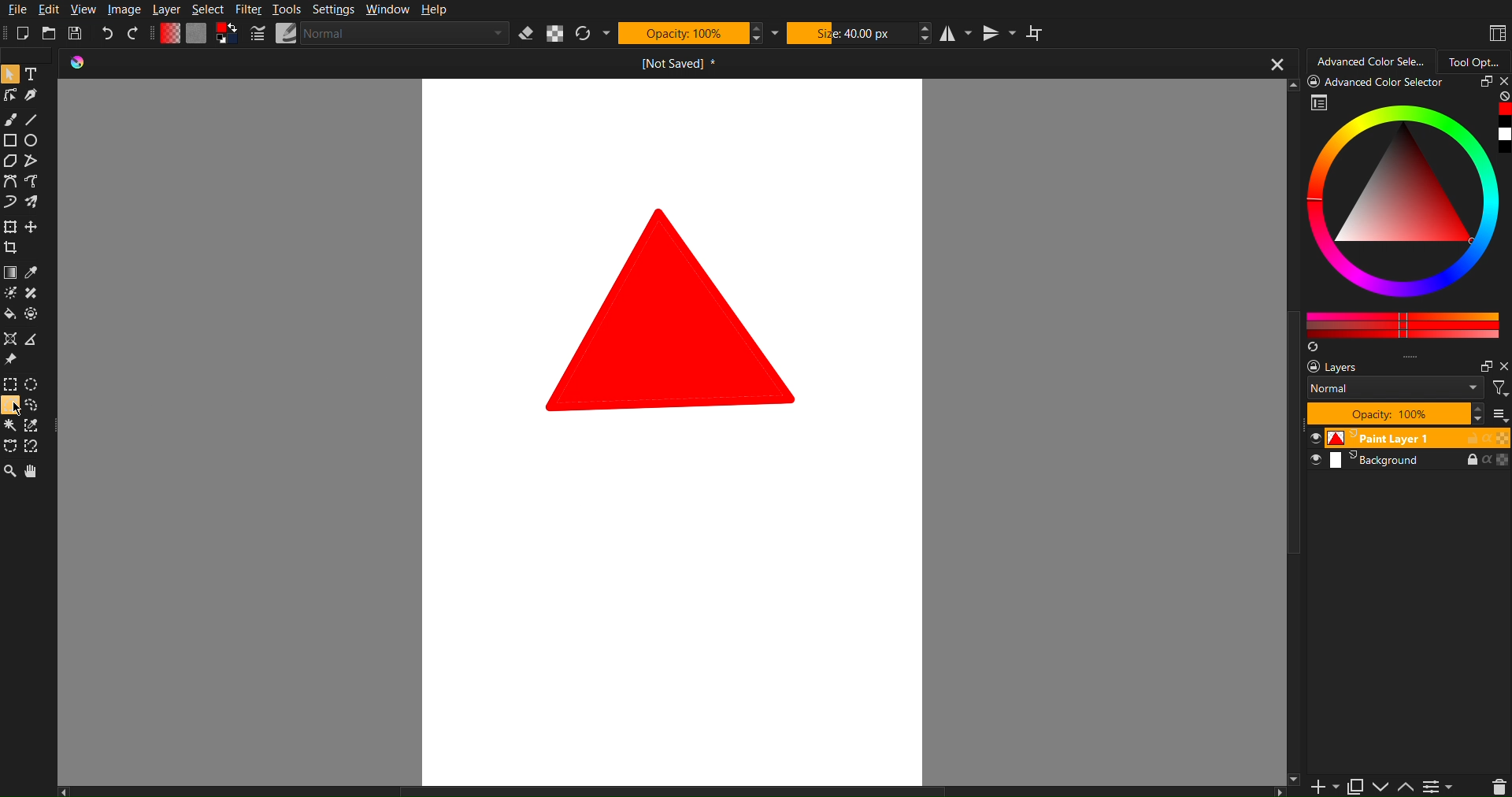  What do you see at coordinates (33, 228) in the screenshot?
I see `Create` at bounding box center [33, 228].